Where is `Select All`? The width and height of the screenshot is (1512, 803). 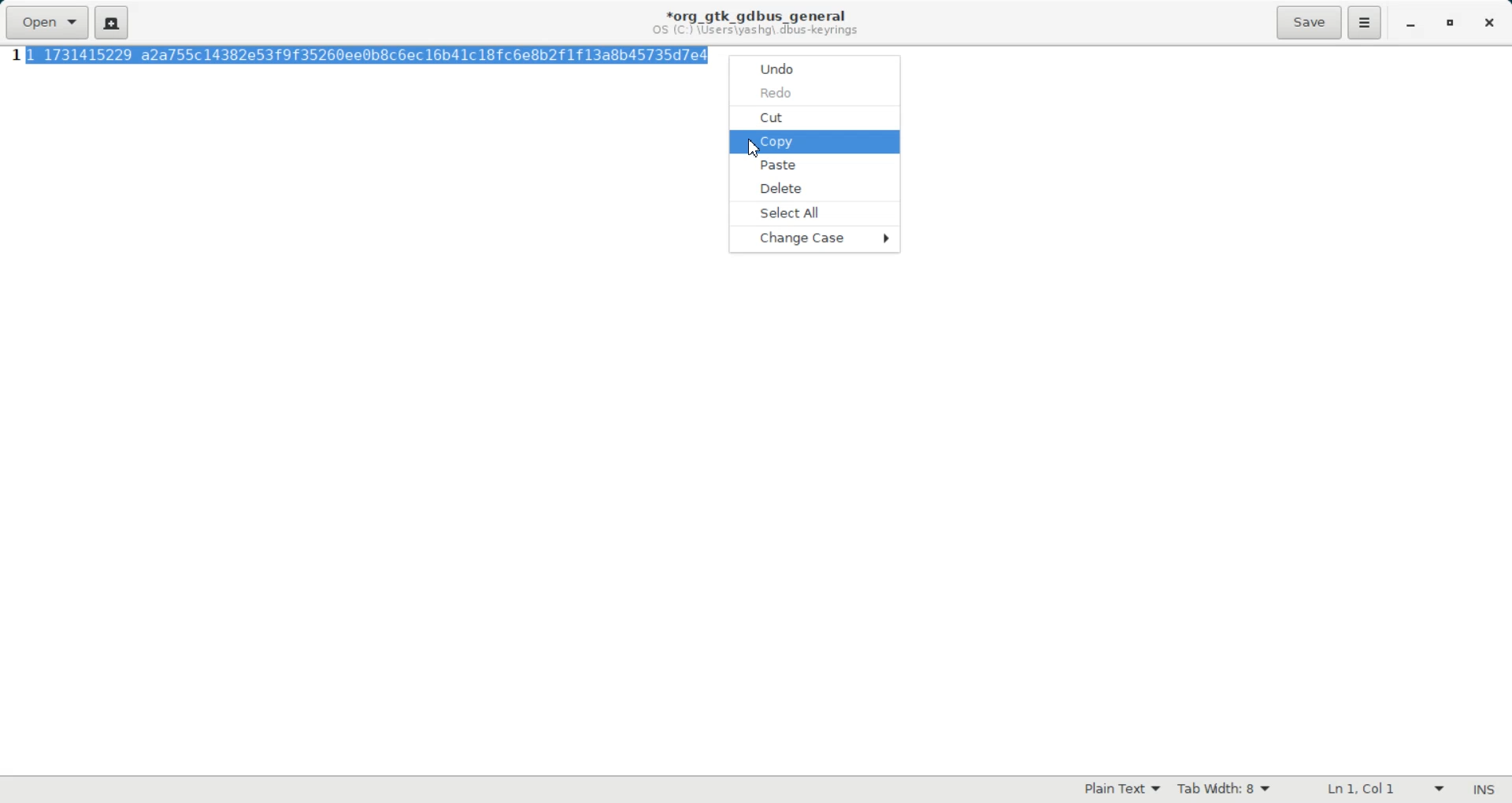
Select All is located at coordinates (810, 216).